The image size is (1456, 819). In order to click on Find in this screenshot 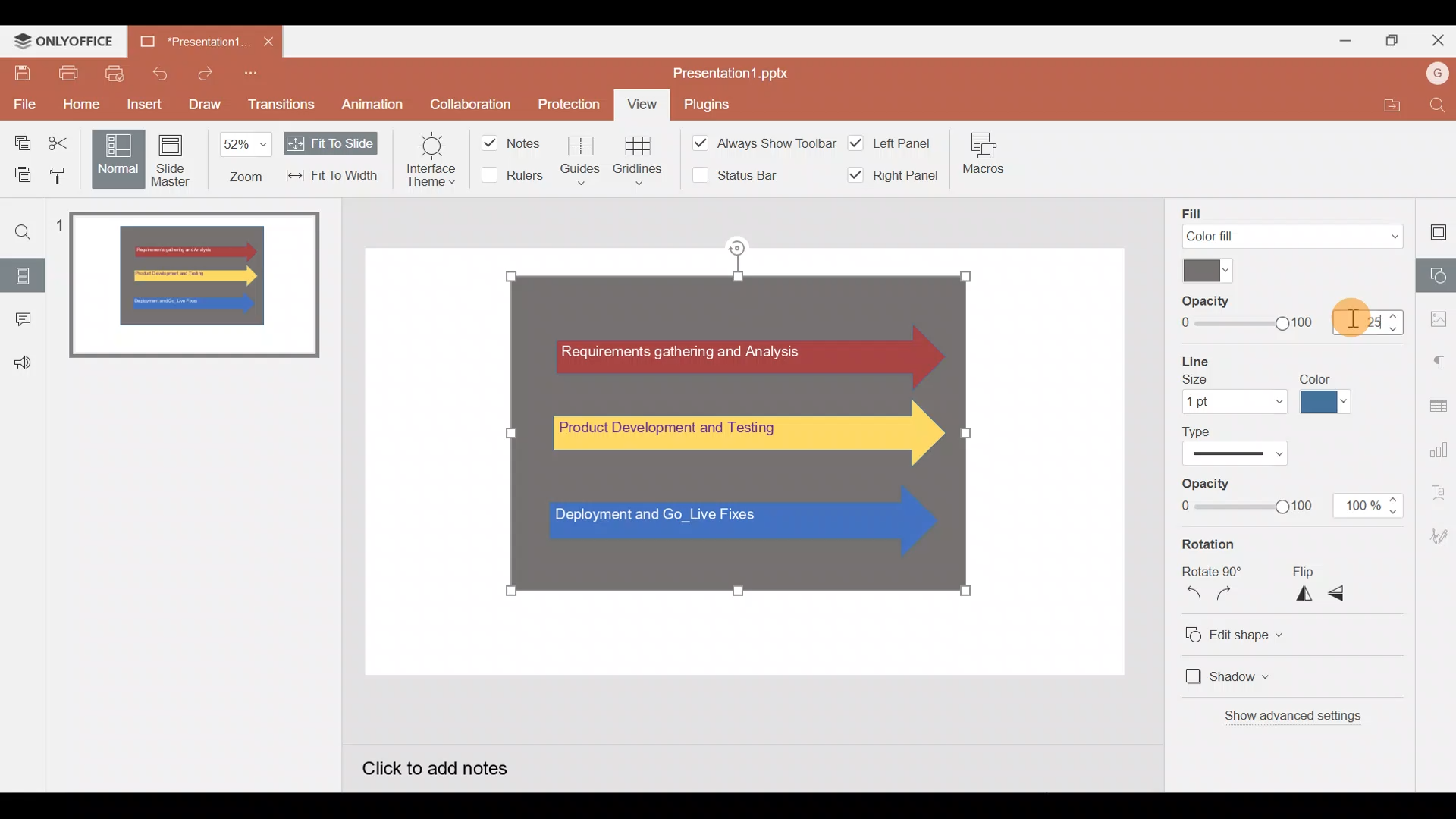, I will do `click(1437, 105)`.